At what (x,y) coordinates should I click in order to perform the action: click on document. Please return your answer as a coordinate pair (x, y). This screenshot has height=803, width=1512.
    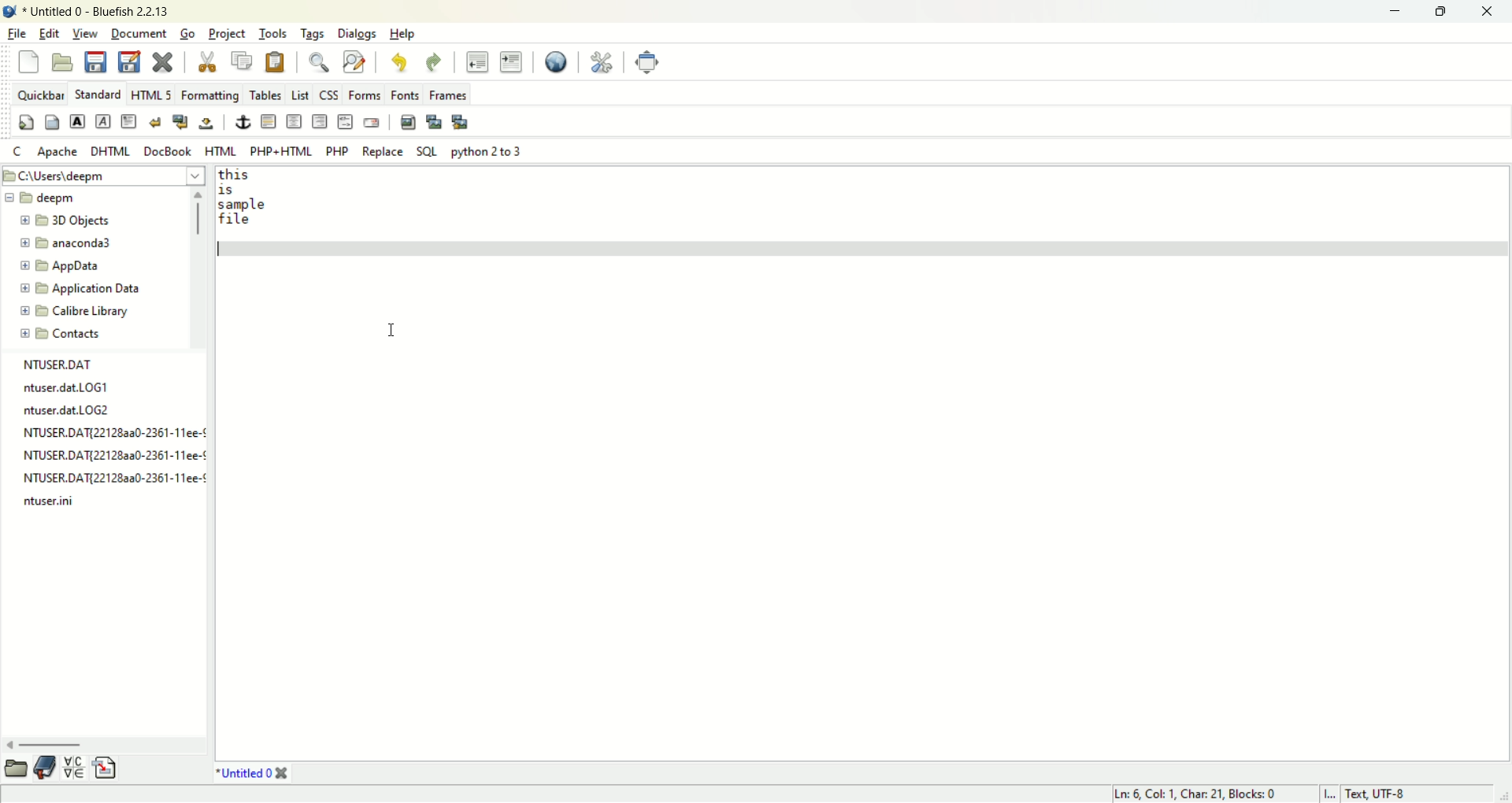
    Looking at the image, I should click on (142, 34).